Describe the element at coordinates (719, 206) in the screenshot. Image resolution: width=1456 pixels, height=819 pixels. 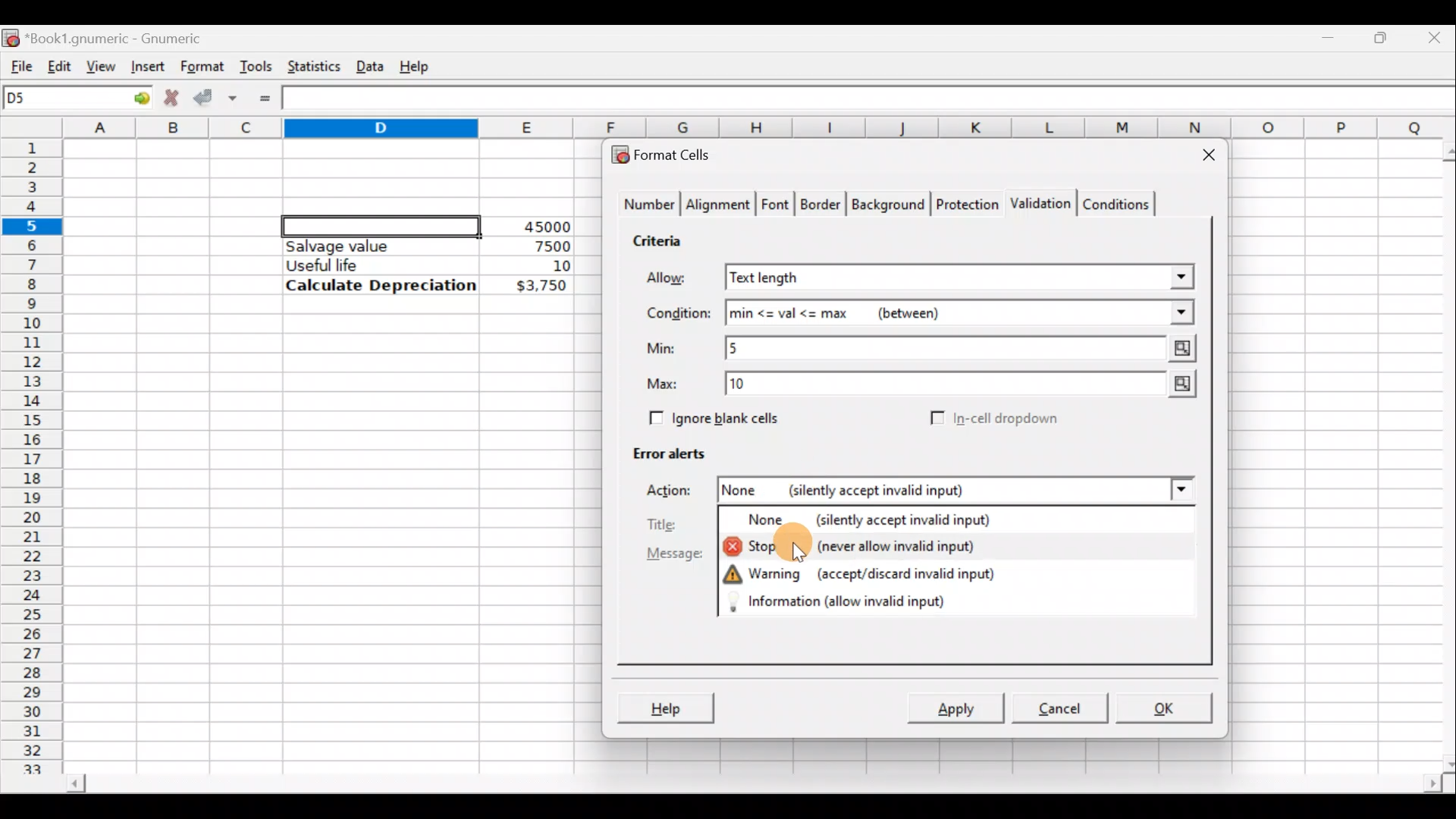
I see `Alignment` at that location.